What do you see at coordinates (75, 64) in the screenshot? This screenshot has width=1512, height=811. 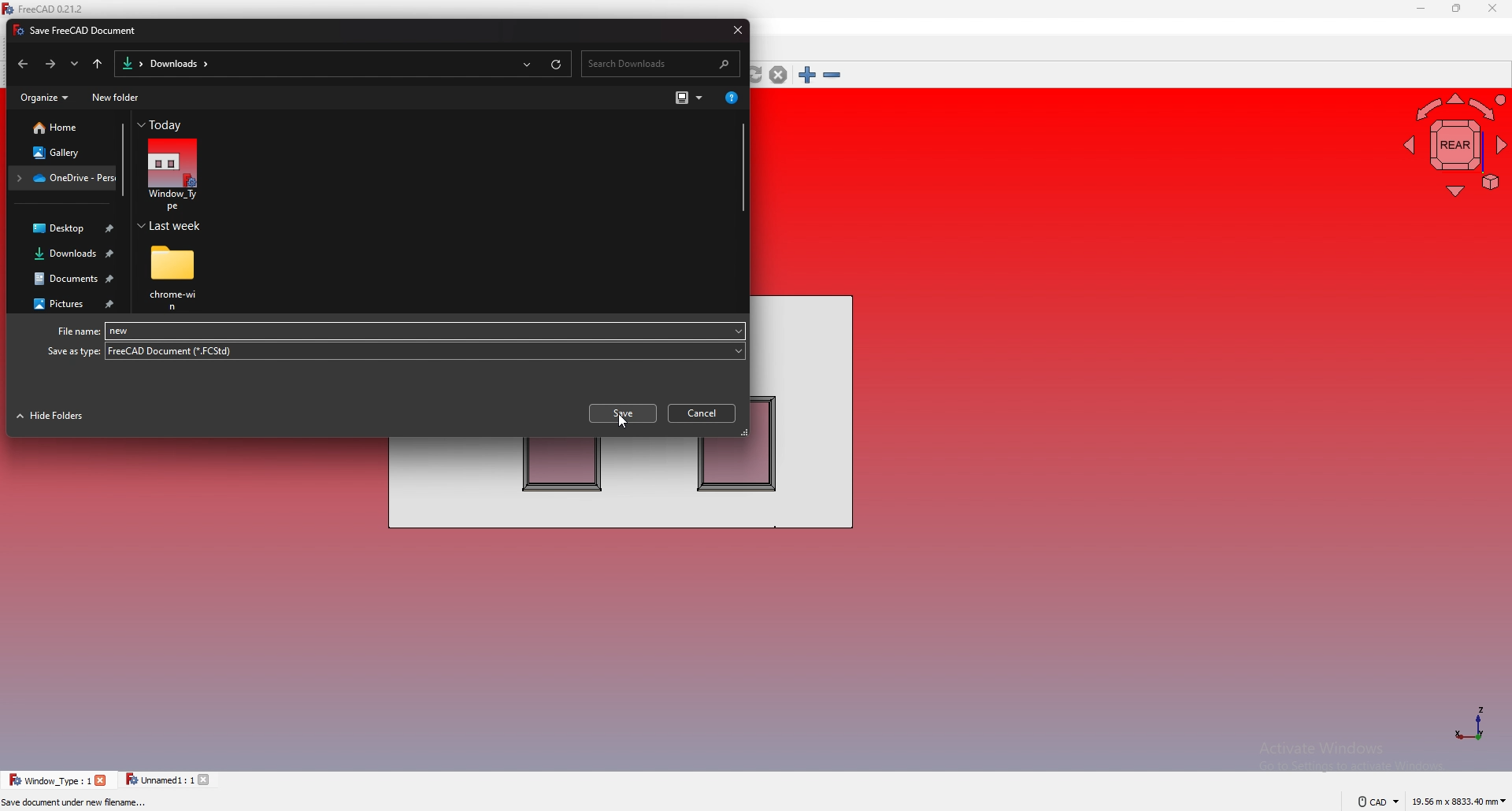 I see `recent` at bounding box center [75, 64].